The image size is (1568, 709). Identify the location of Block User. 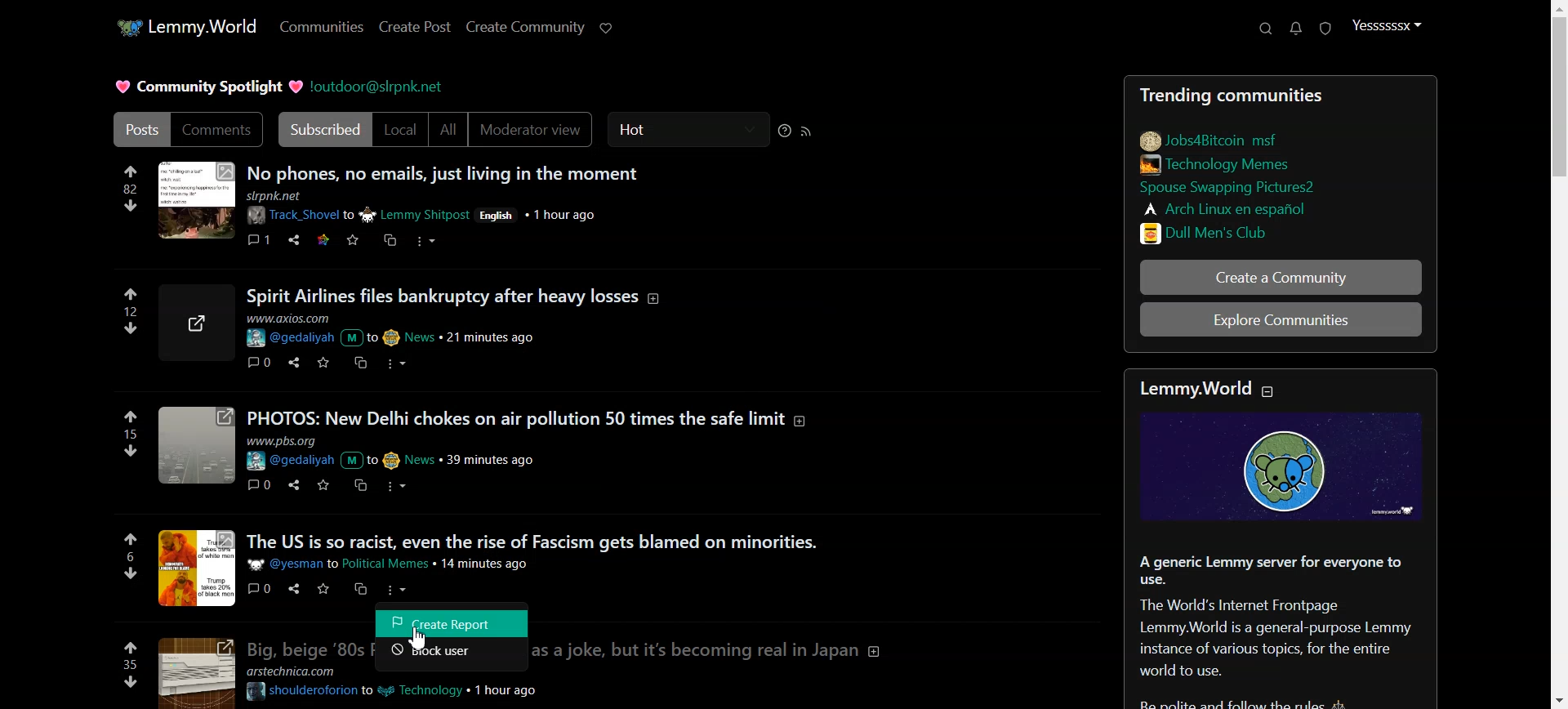
(452, 655).